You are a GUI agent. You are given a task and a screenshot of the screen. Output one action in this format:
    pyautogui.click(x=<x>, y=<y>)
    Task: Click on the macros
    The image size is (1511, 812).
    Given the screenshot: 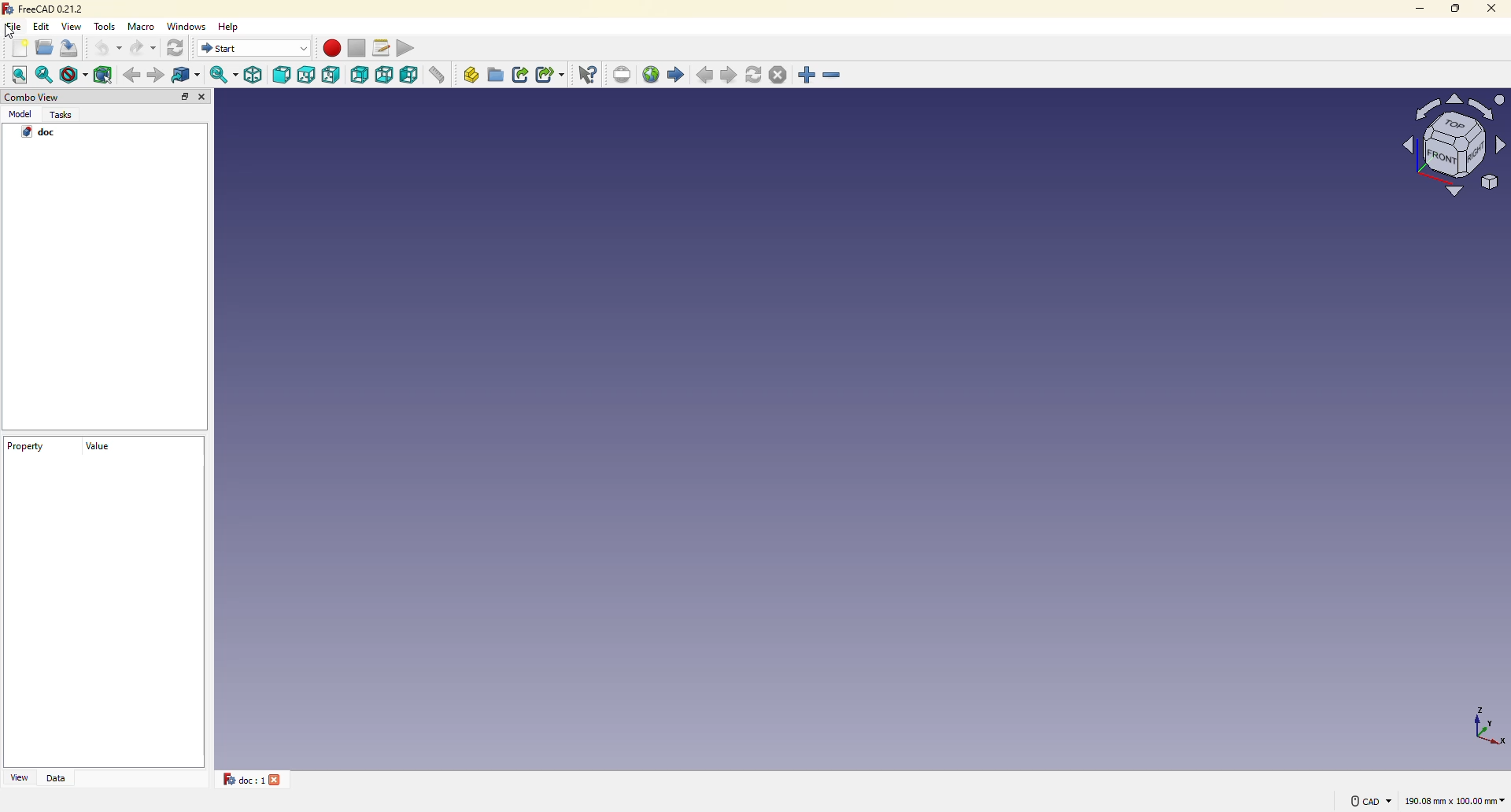 What is the action you would take?
    pyautogui.click(x=382, y=46)
    